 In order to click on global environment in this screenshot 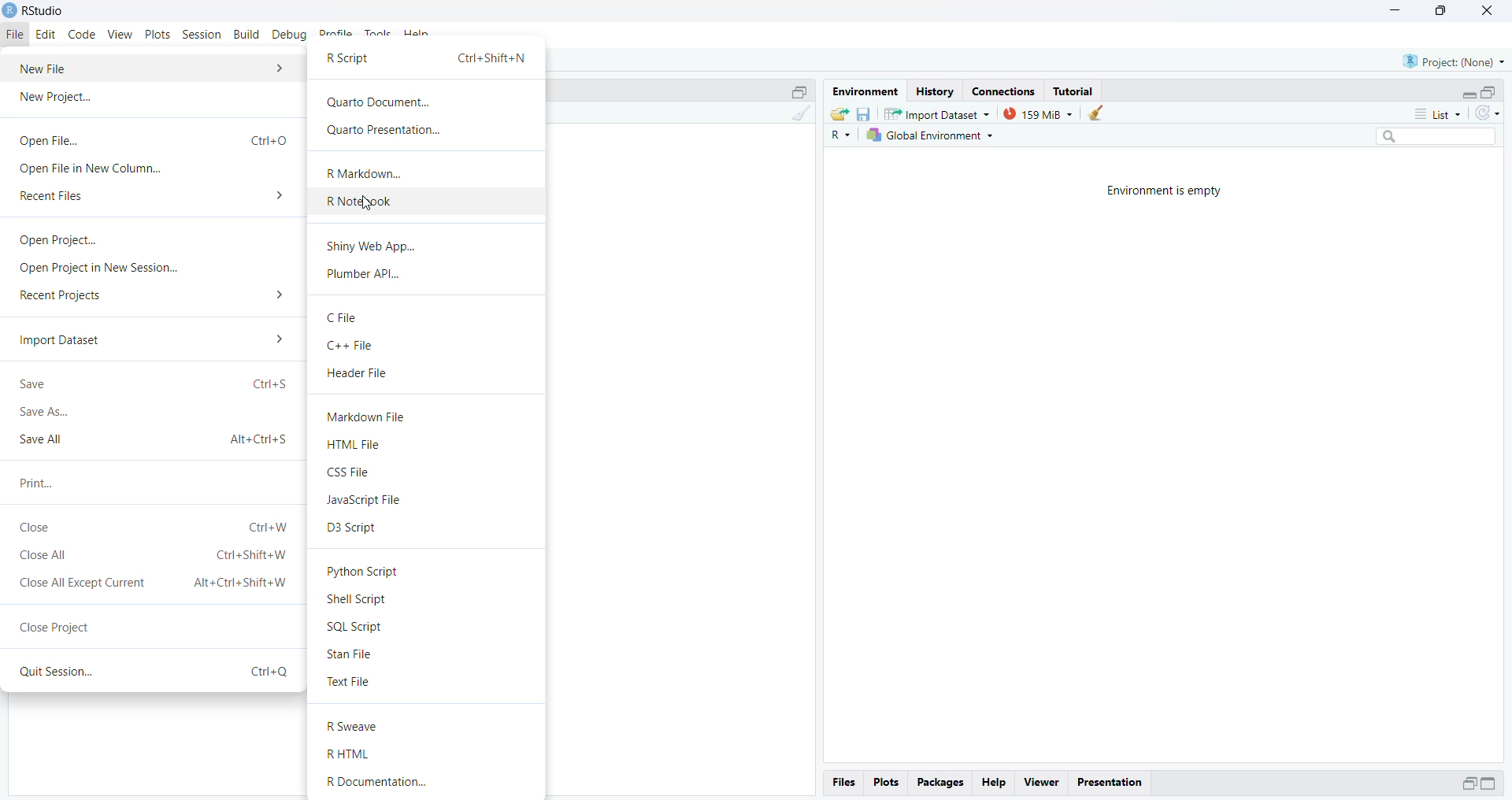, I will do `click(928, 136)`.